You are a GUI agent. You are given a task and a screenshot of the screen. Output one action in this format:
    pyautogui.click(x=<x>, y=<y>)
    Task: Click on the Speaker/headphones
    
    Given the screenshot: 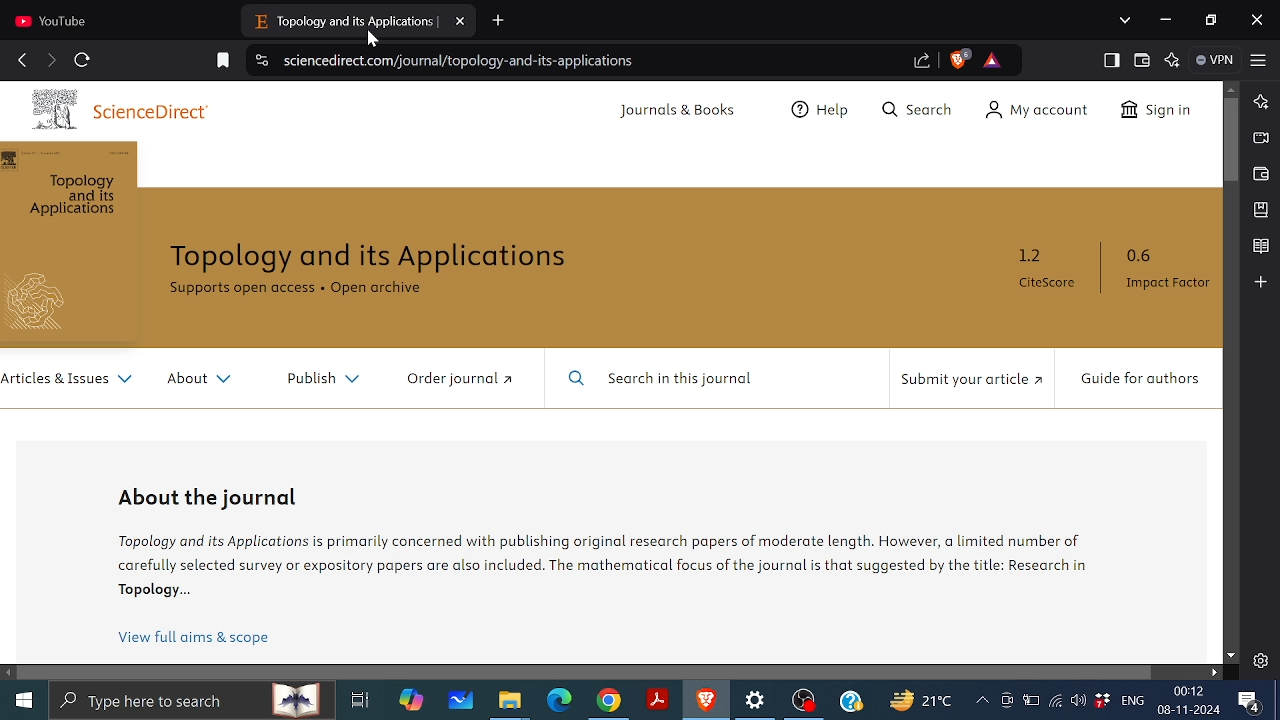 What is the action you would take?
    pyautogui.click(x=1078, y=699)
    